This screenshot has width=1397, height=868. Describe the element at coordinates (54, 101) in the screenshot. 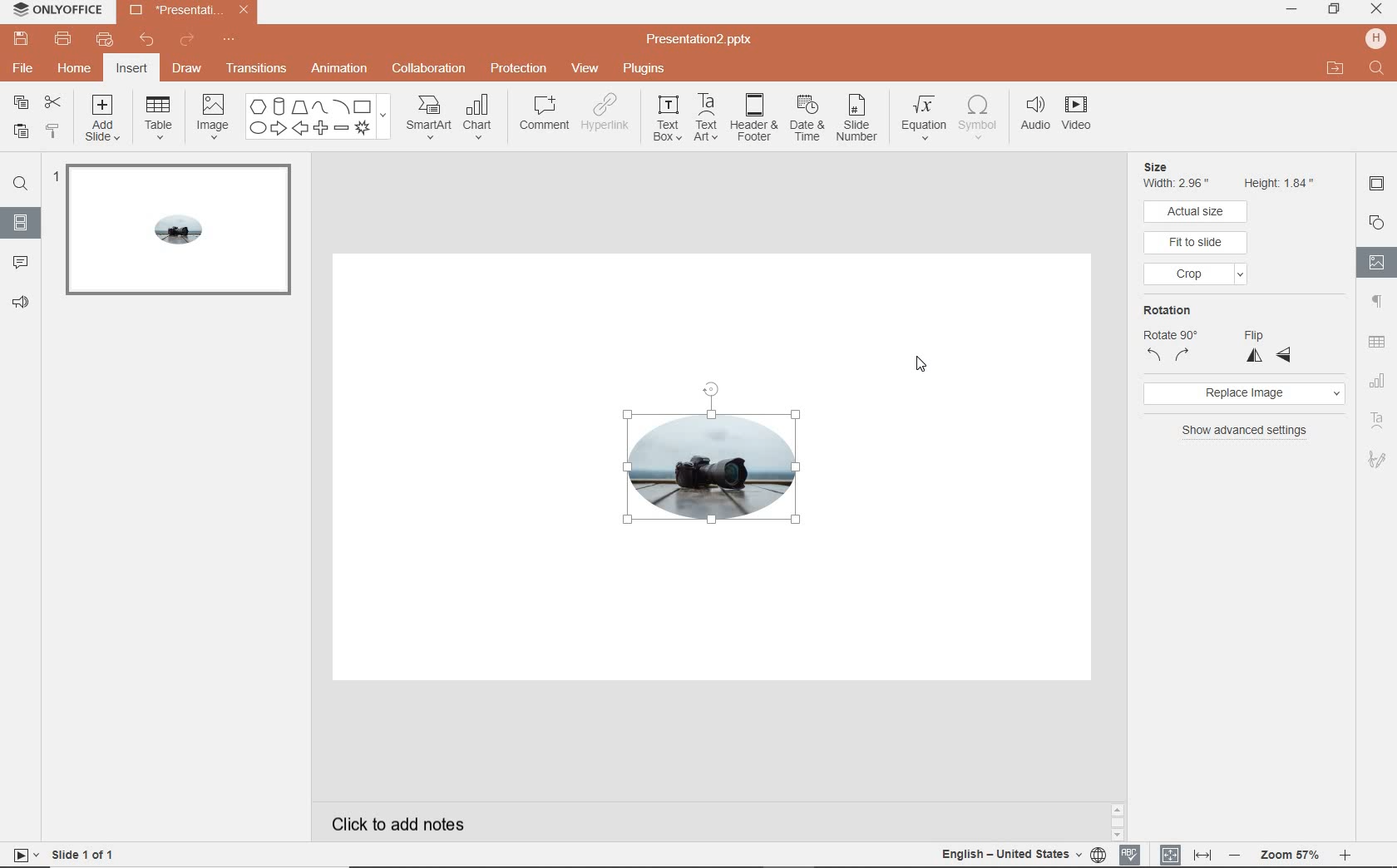

I see `cut` at that location.